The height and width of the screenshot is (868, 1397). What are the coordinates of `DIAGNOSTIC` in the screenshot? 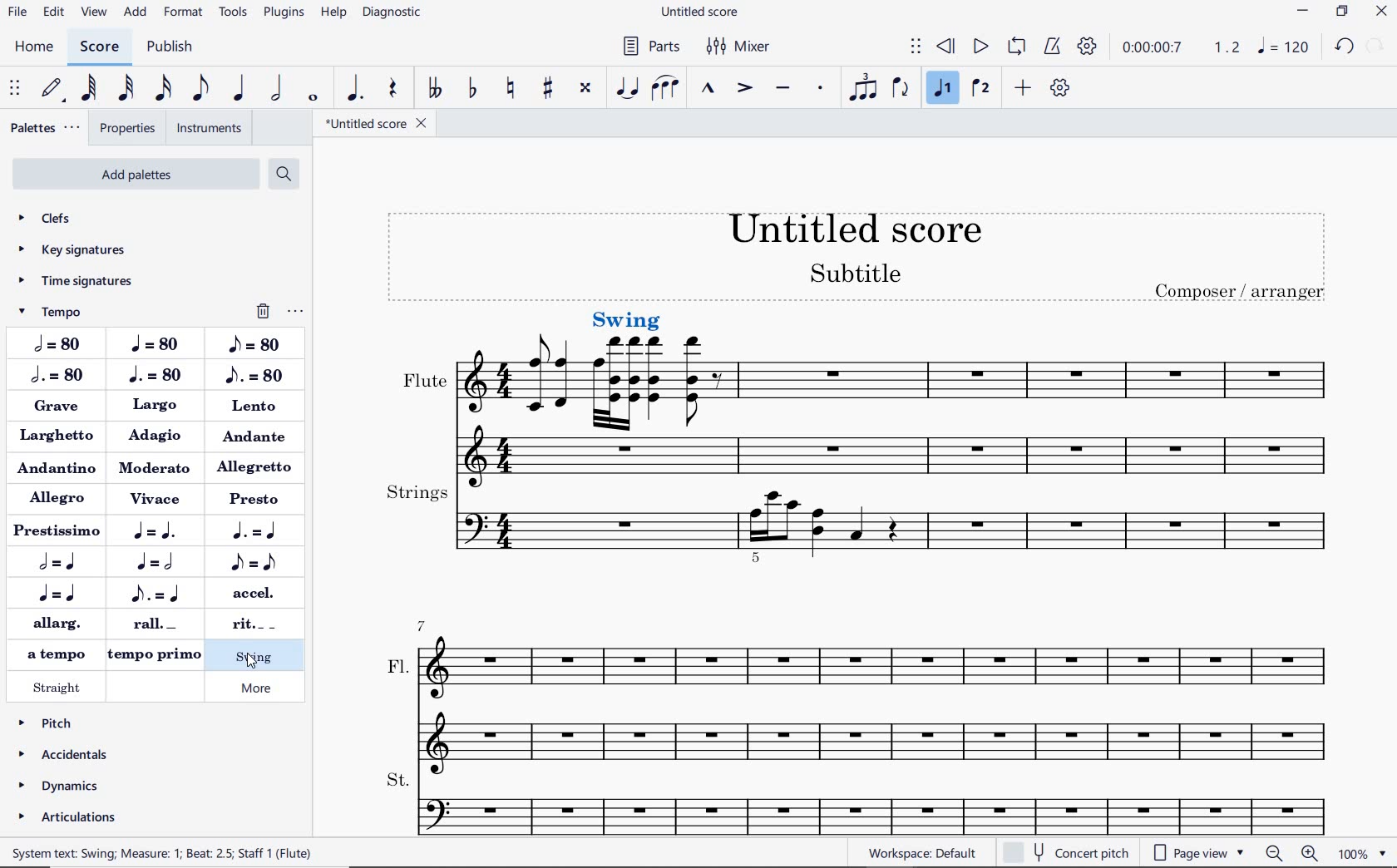 It's located at (391, 12).